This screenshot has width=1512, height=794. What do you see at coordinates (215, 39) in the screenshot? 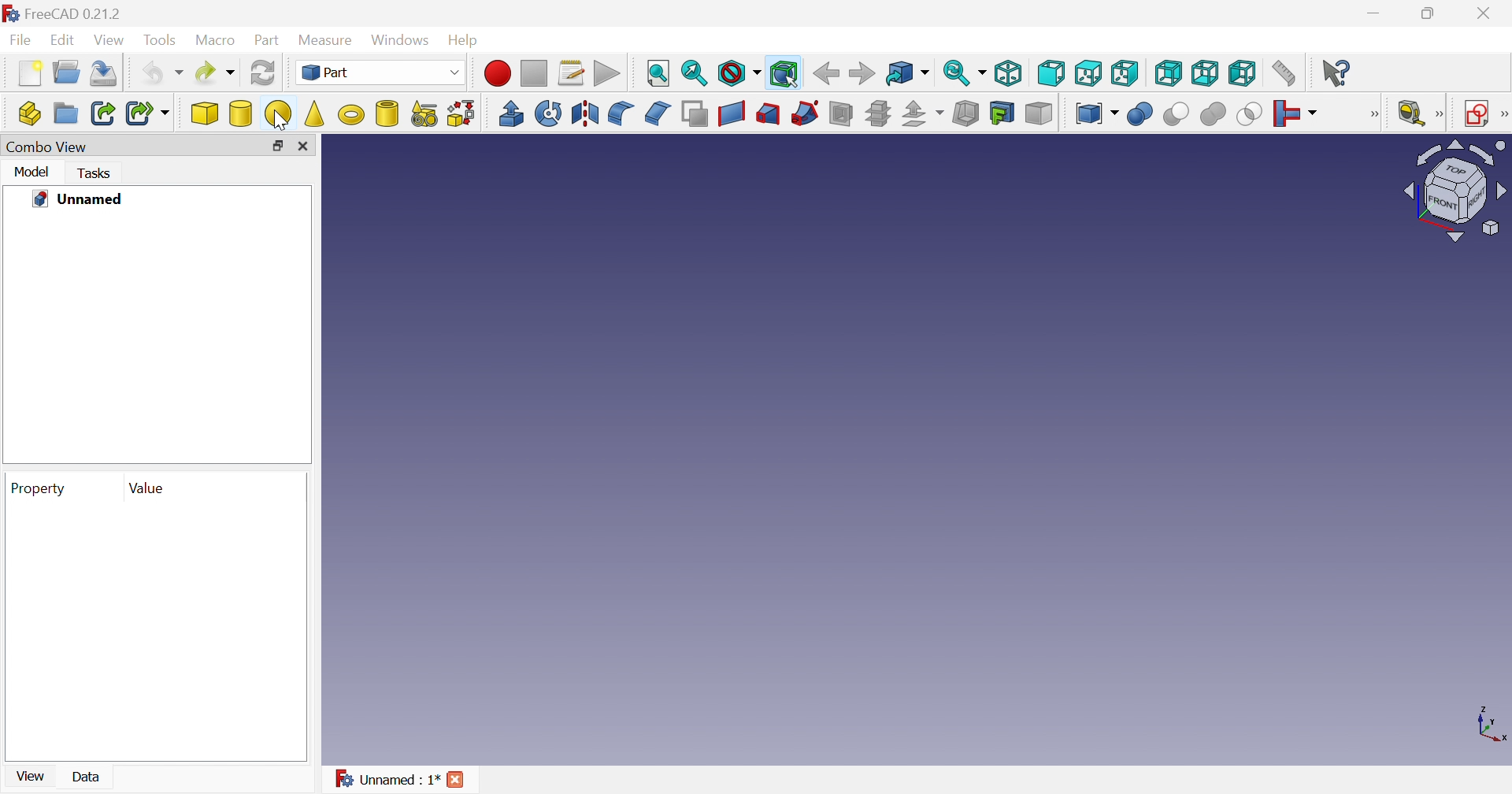
I see `Macro` at bounding box center [215, 39].